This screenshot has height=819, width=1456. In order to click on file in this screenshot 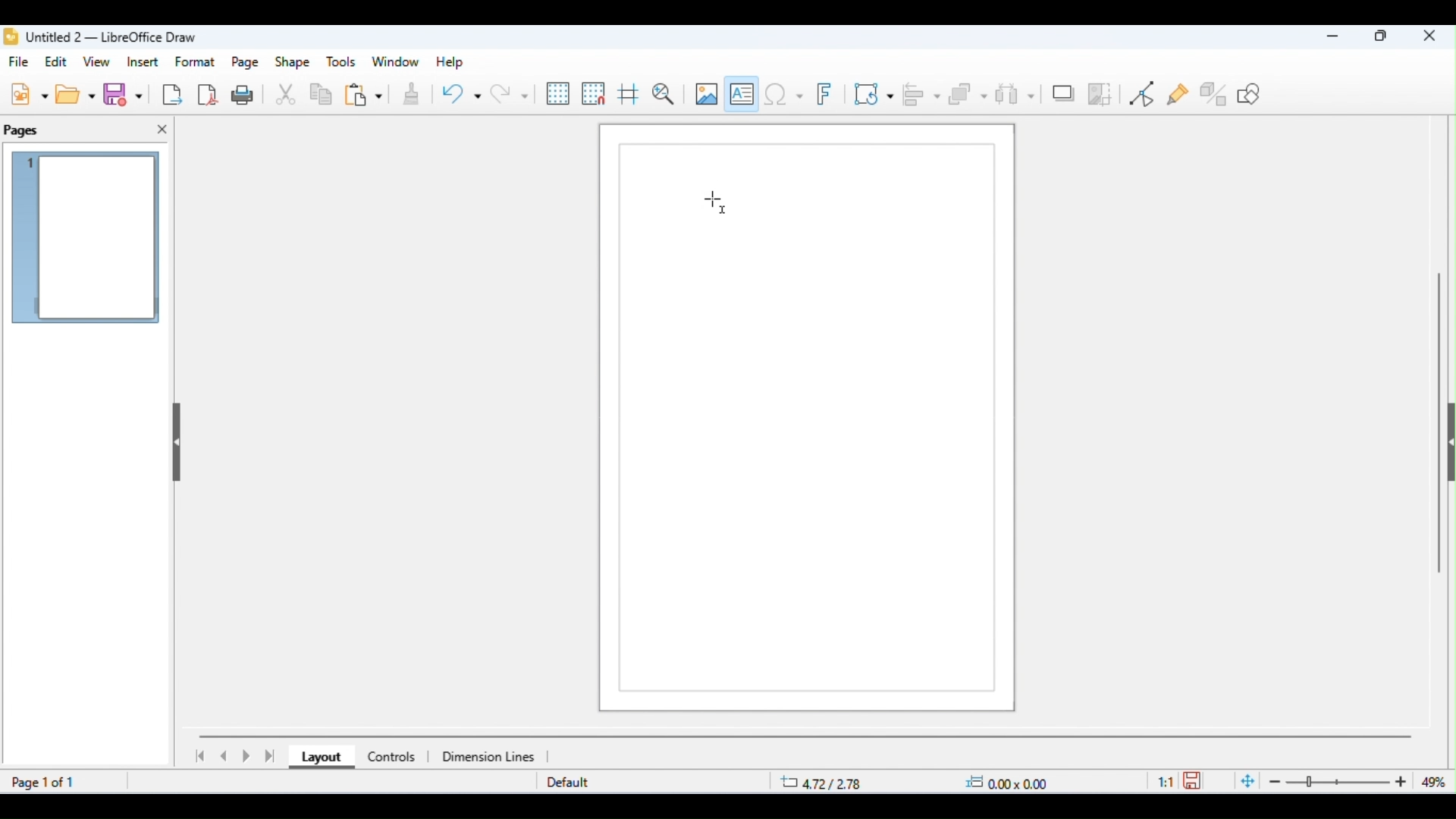, I will do `click(21, 63)`.